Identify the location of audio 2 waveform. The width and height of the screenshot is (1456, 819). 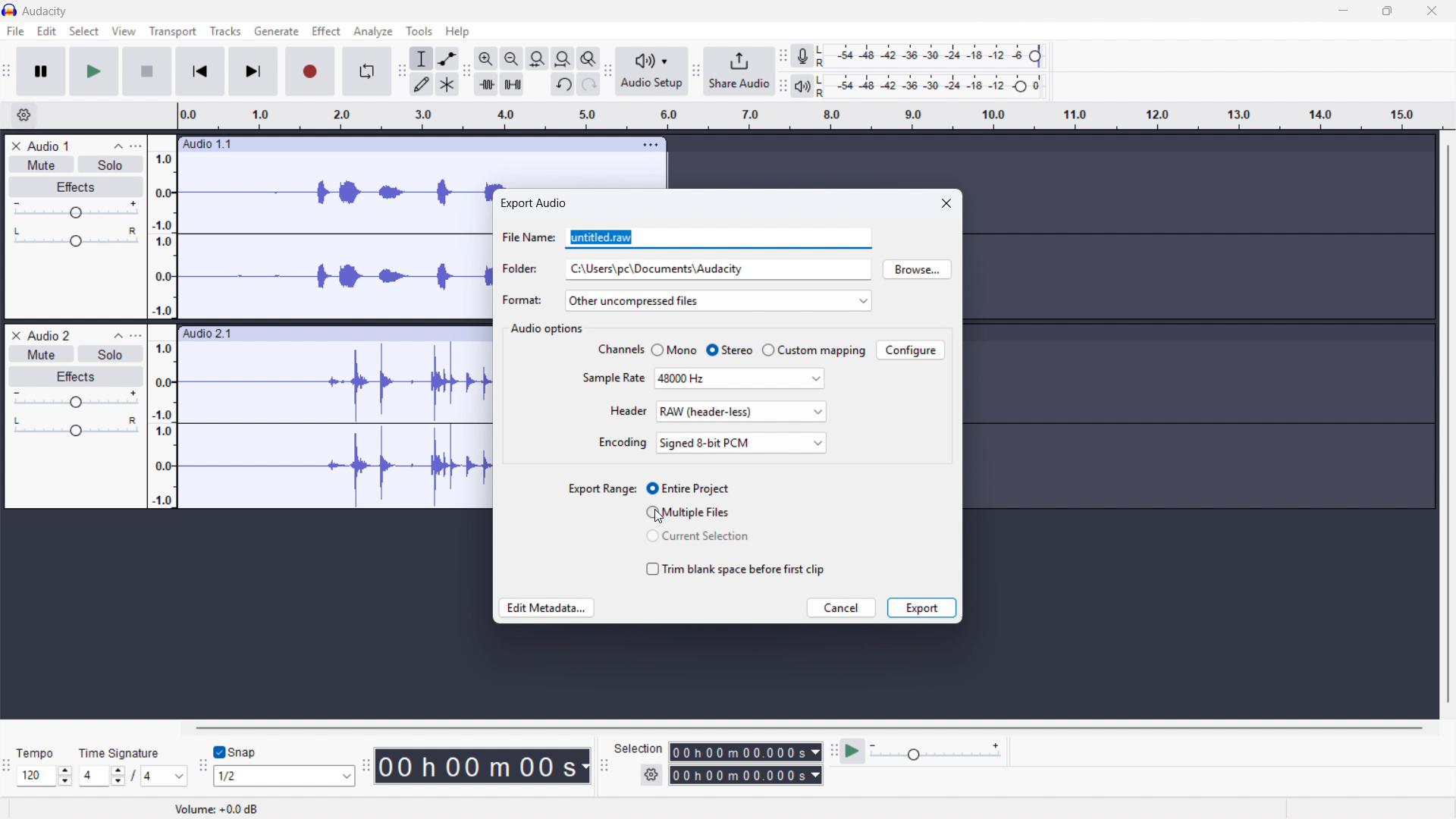
(334, 426).